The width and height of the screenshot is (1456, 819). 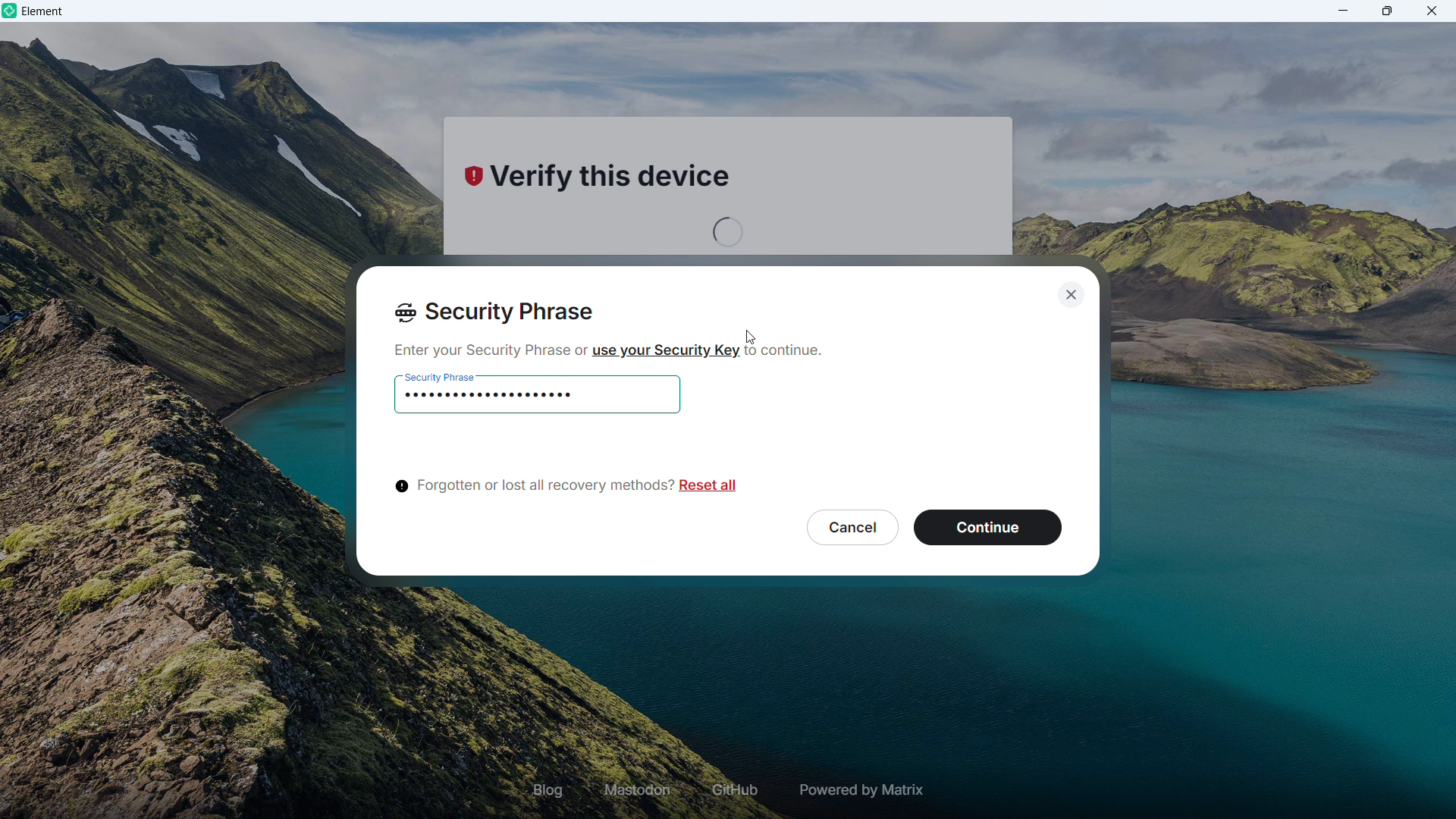 I want to click on Use security key , so click(x=664, y=350).